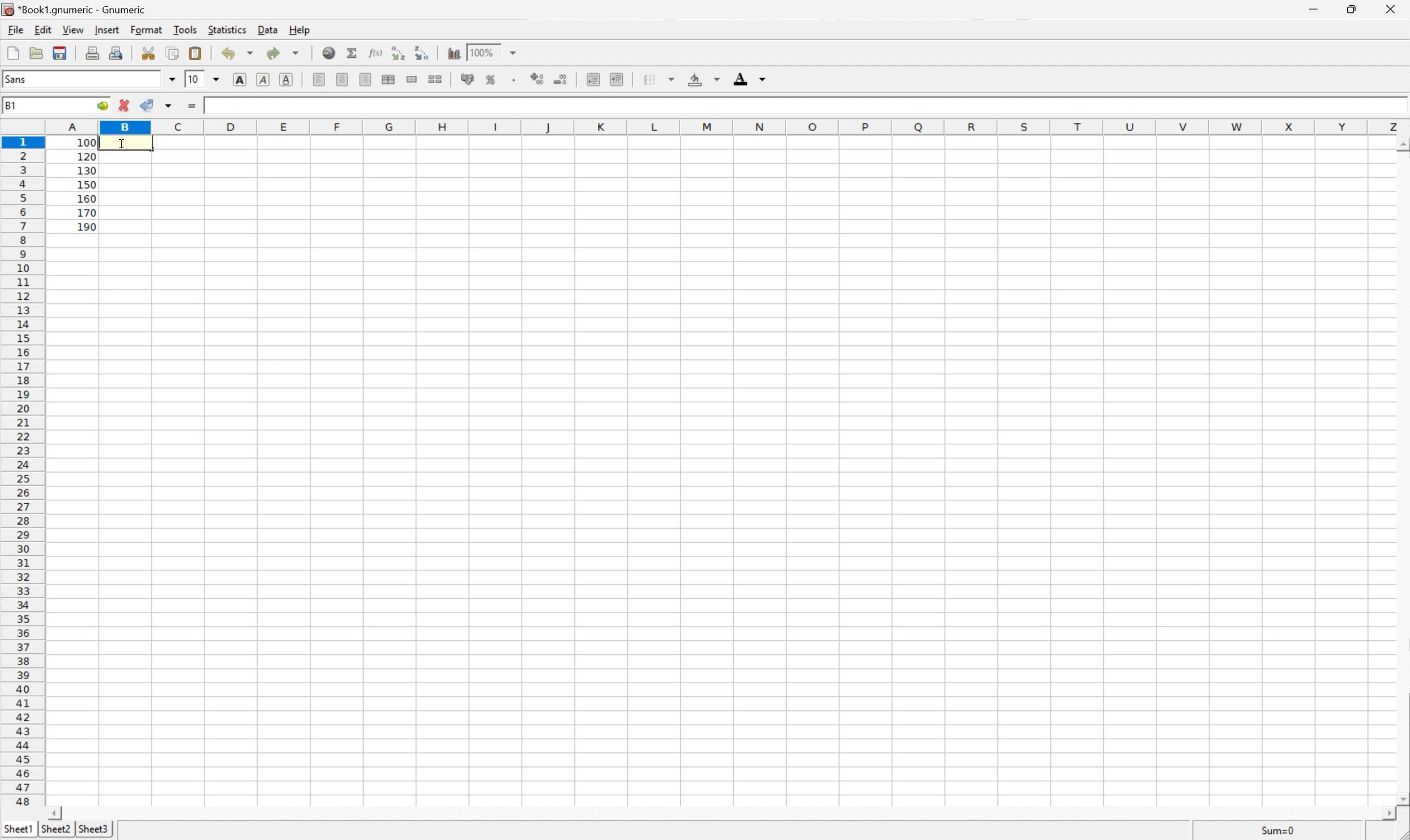 The width and height of the screenshot is (1410, 840). What do you see at coordinates (262, 80) in the screenshot?
I see `Italic` at bounding box center [262, 80].